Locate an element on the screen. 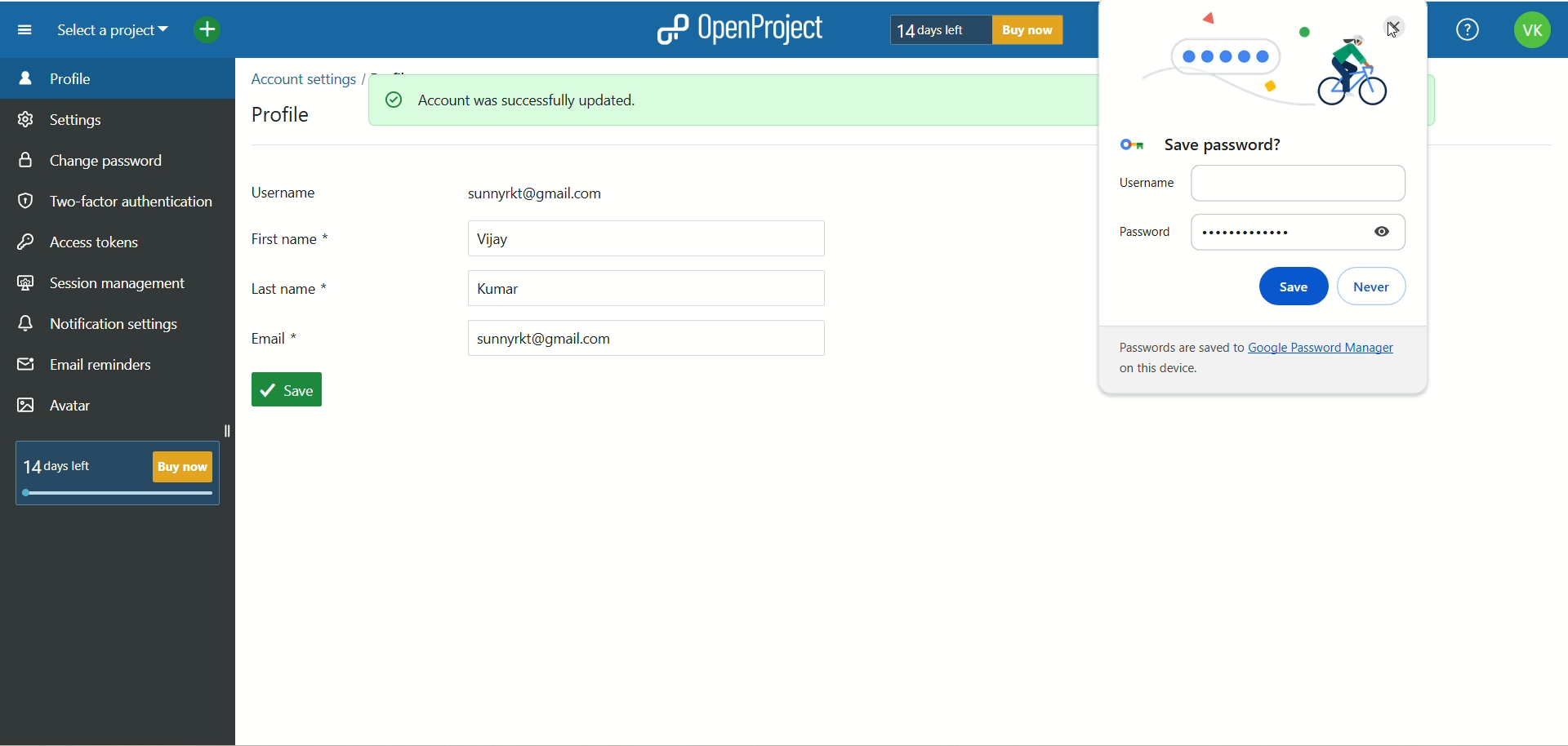 Image resolution: width=1568 pixels, height=746 pixels. save password is located at coordinates (1200, 147).